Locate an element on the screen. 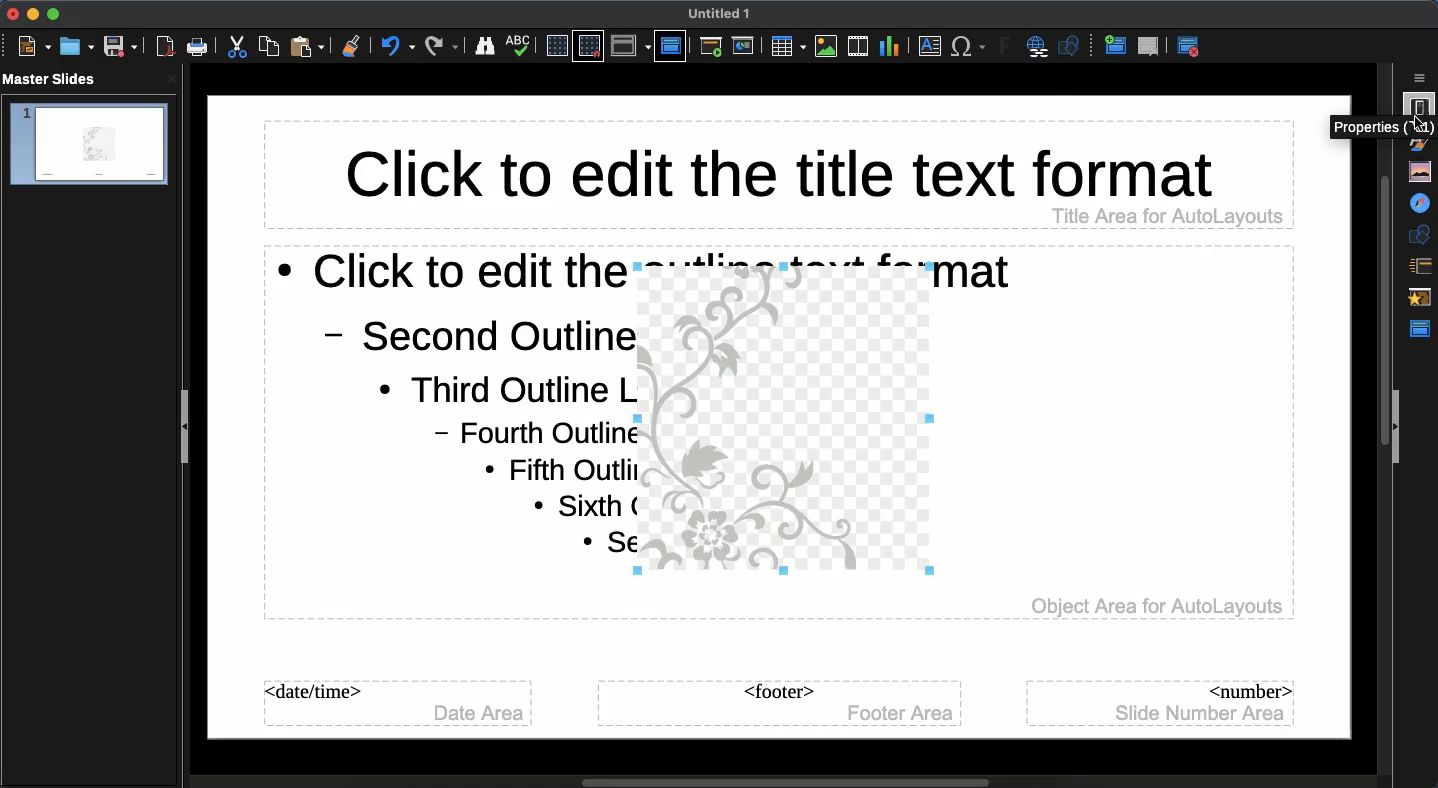 The height and width of the screenshot is (788, 1438). Sidebar settings is located at coordinates (1422, 78).